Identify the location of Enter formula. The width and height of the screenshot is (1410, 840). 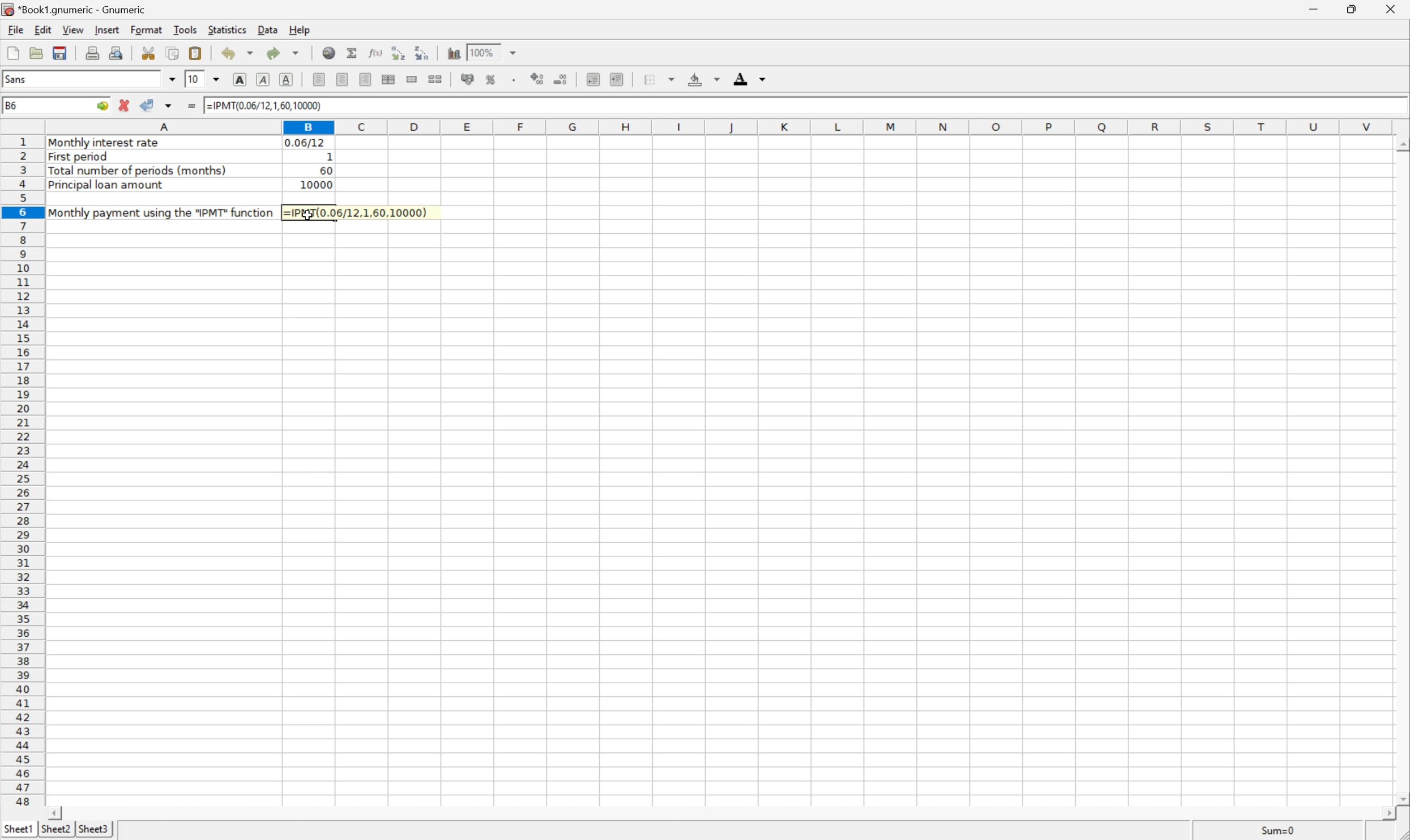
(190, 105).